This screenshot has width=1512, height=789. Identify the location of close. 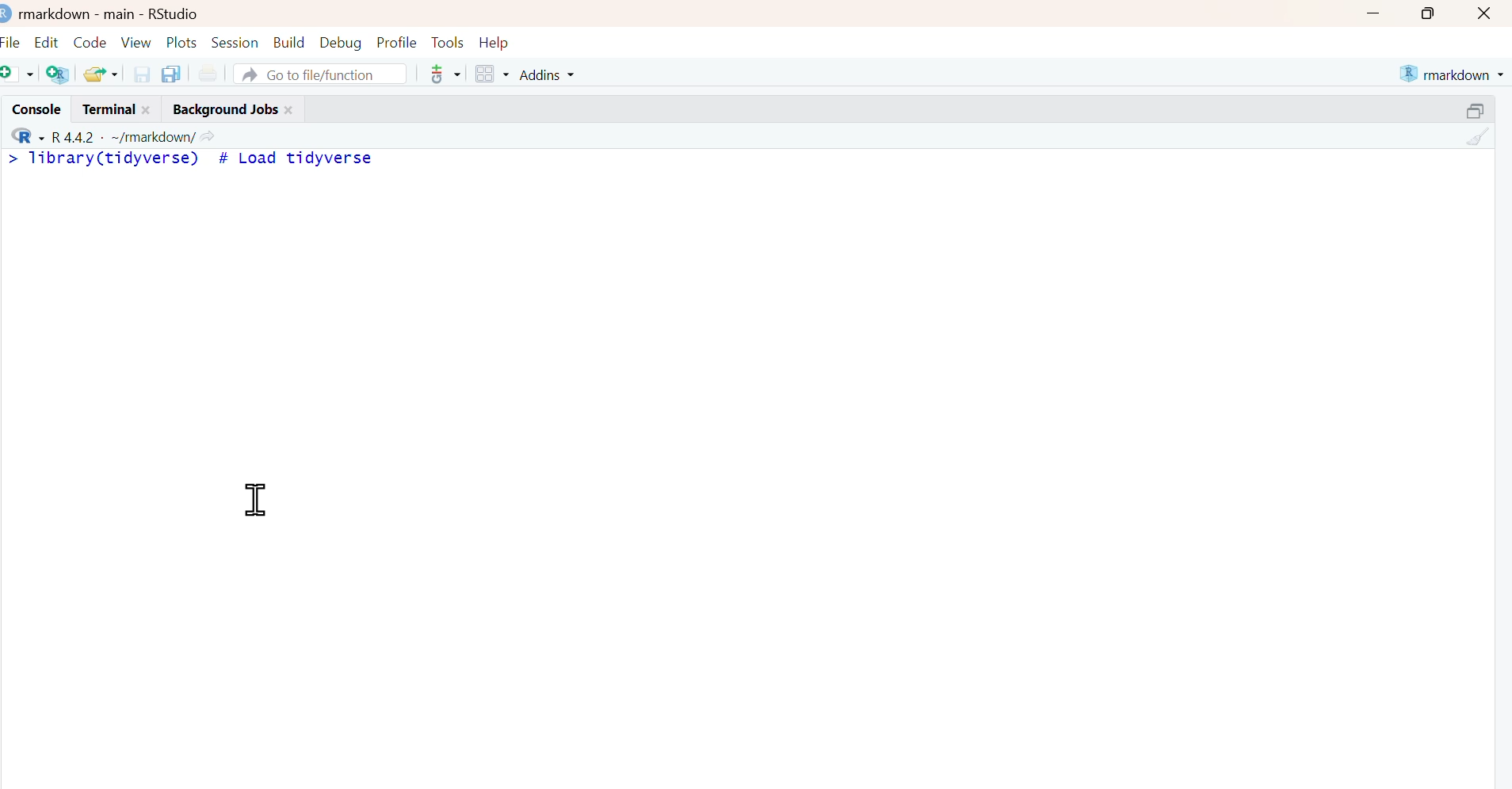
(1487, 13).